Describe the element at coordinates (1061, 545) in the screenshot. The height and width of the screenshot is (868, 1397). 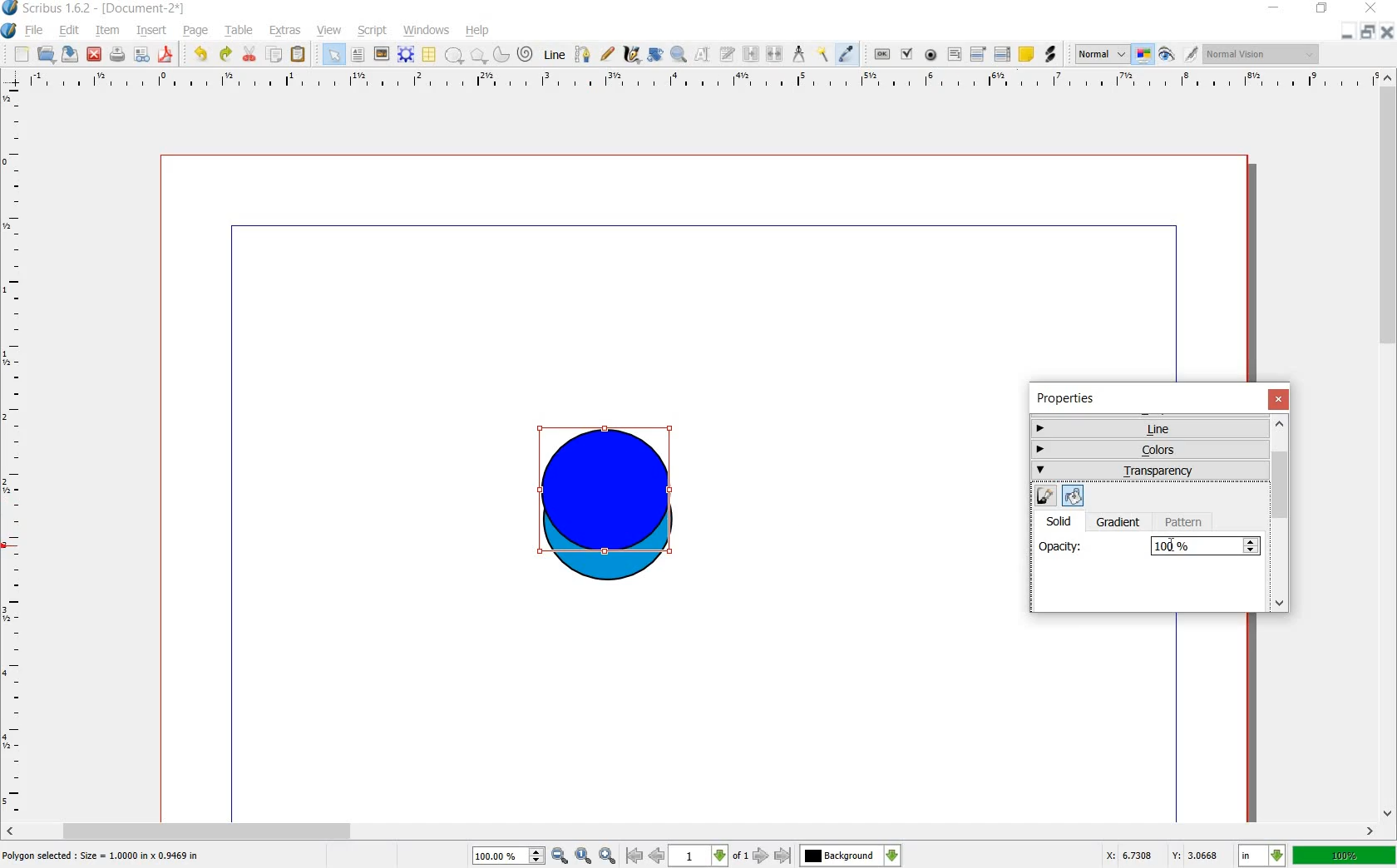
I see `opacity` at that location.